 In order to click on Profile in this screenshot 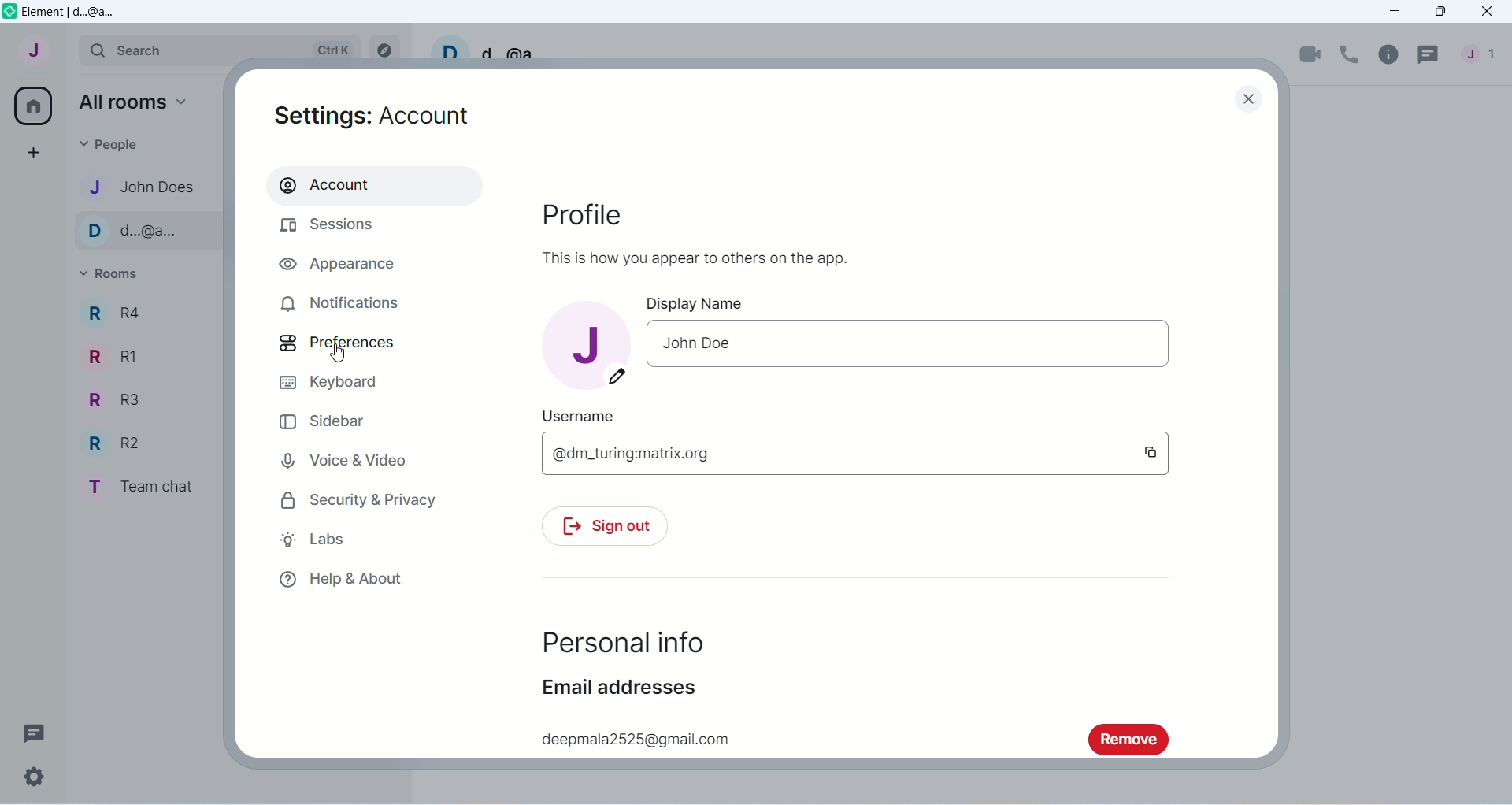, I will do `click(585, 213)`.